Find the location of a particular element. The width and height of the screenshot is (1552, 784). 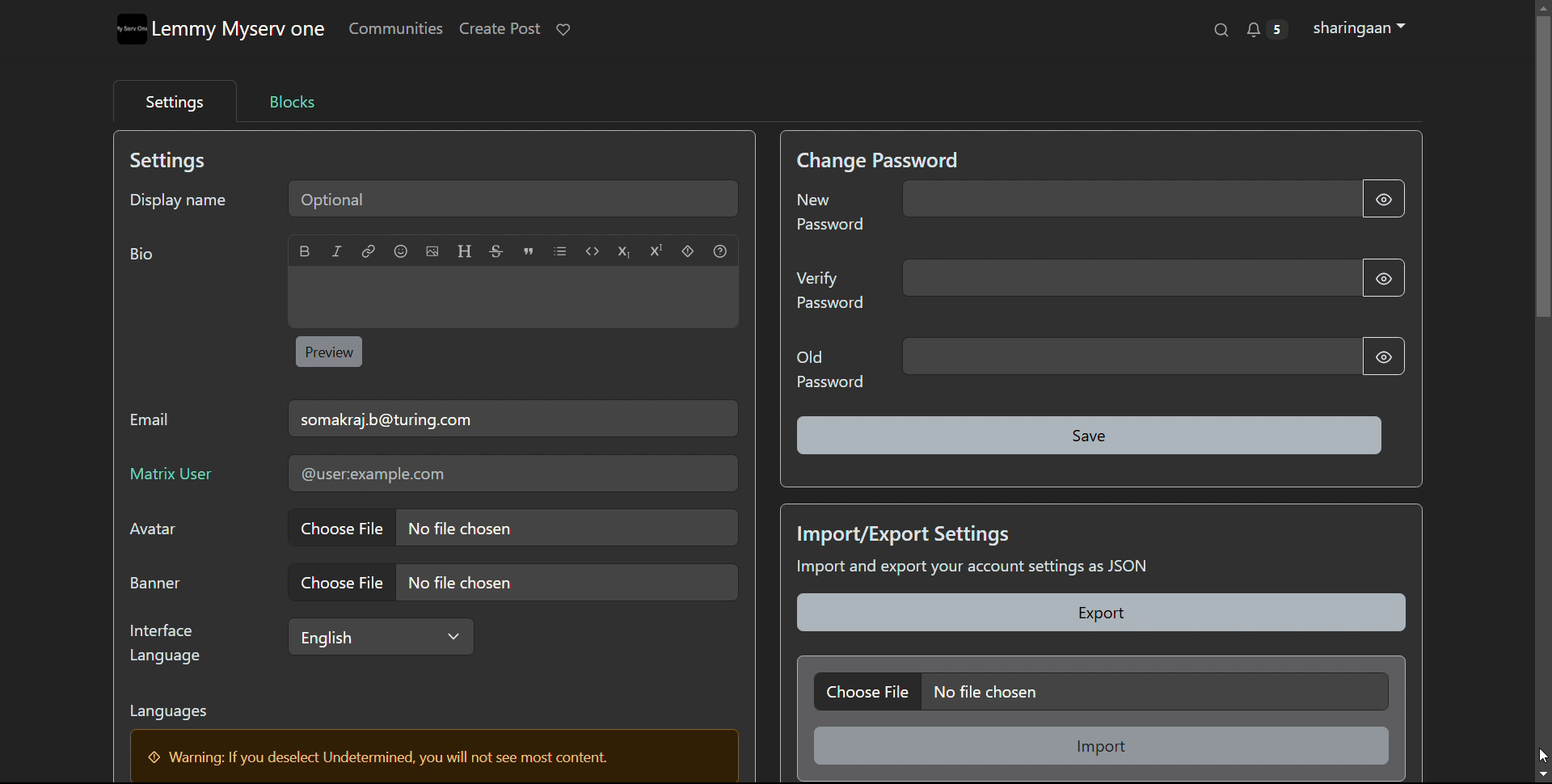

bold is located at coordinates (306, 251).